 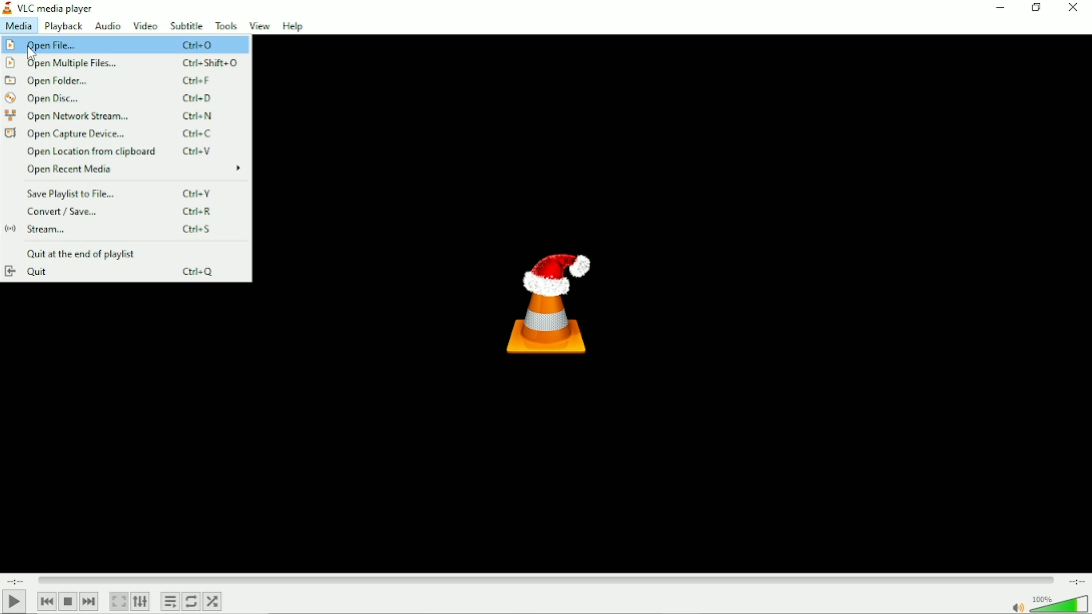 What do you see at coordinates (62, 27) in the screenshot?
I see `Playback` at bounding box center [62, 27].